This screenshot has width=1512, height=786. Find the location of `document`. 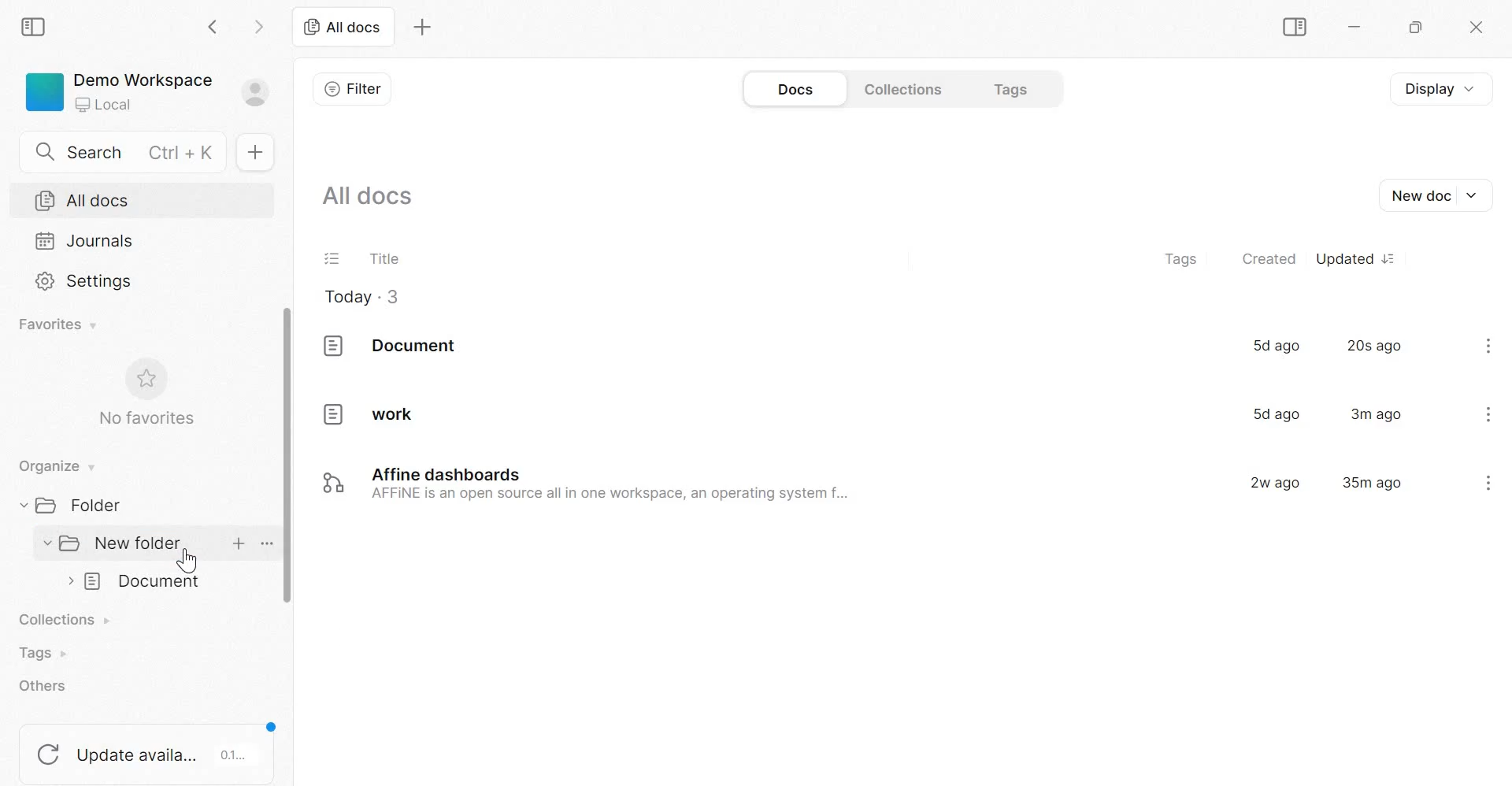

document is located at coordinates (394, 346).